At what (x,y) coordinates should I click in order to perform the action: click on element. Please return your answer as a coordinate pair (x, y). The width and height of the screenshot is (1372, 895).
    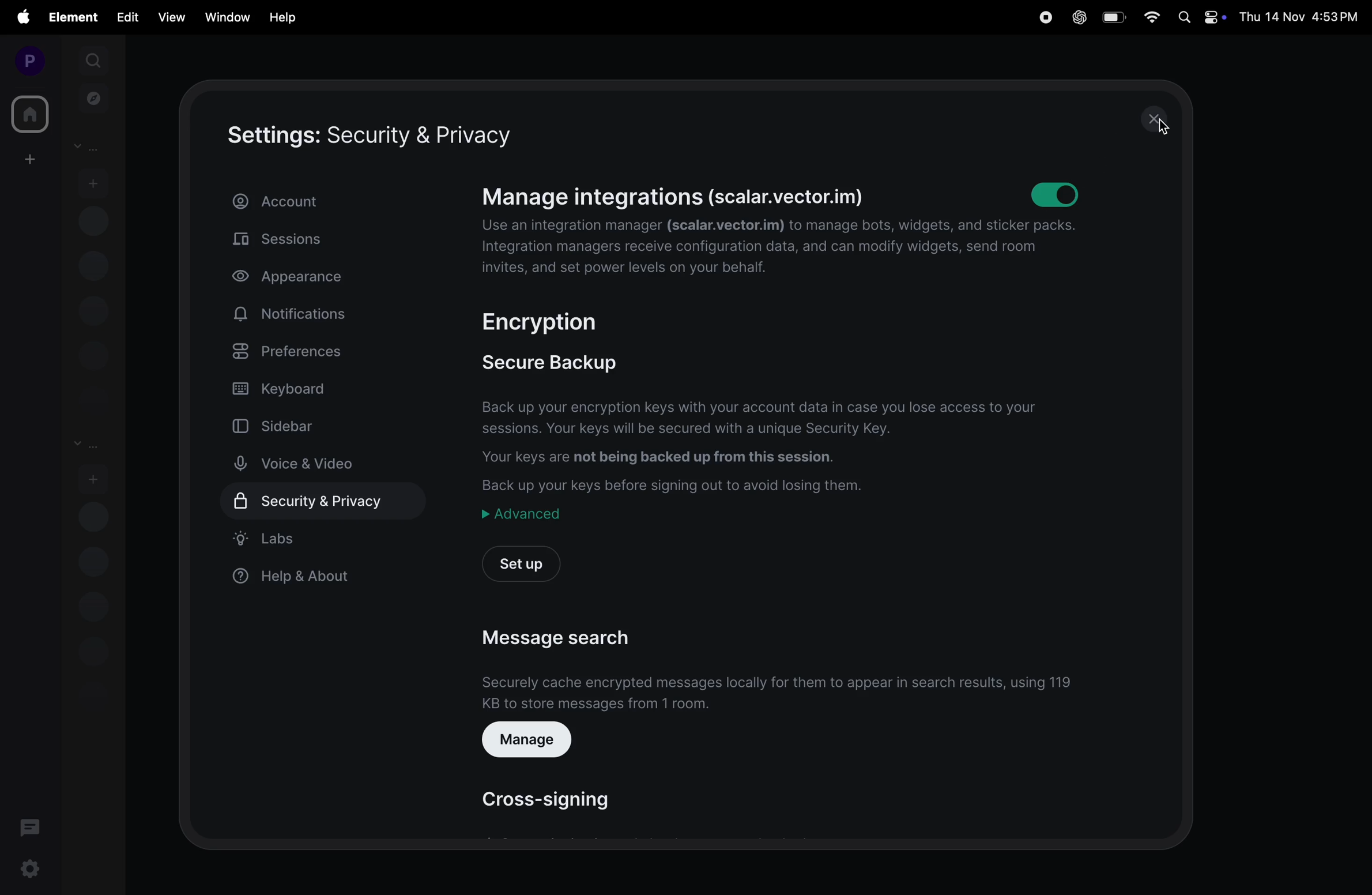
    Looking at the image, I should click on (71, 17).